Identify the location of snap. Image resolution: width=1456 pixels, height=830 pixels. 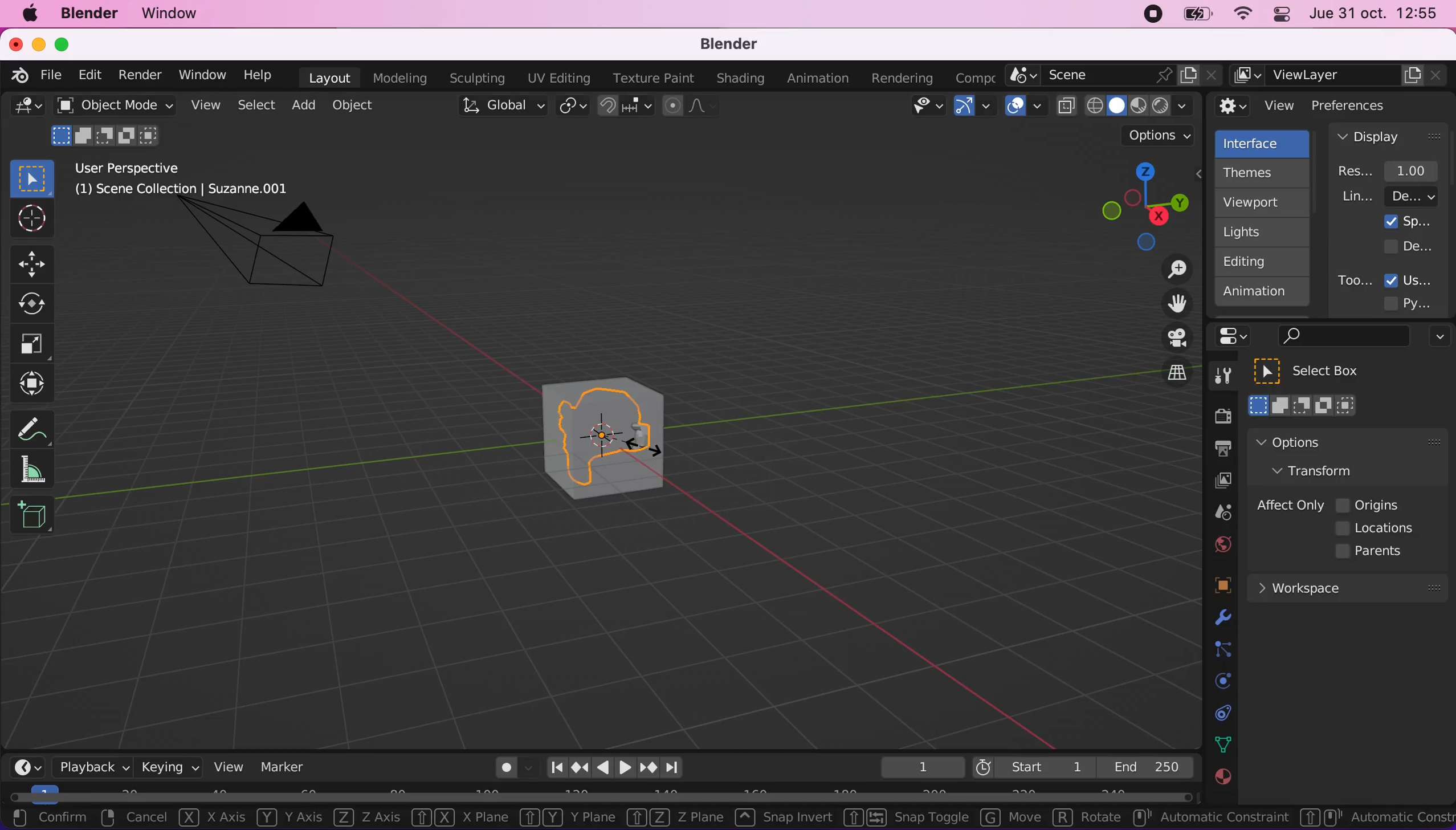
(627, 106).